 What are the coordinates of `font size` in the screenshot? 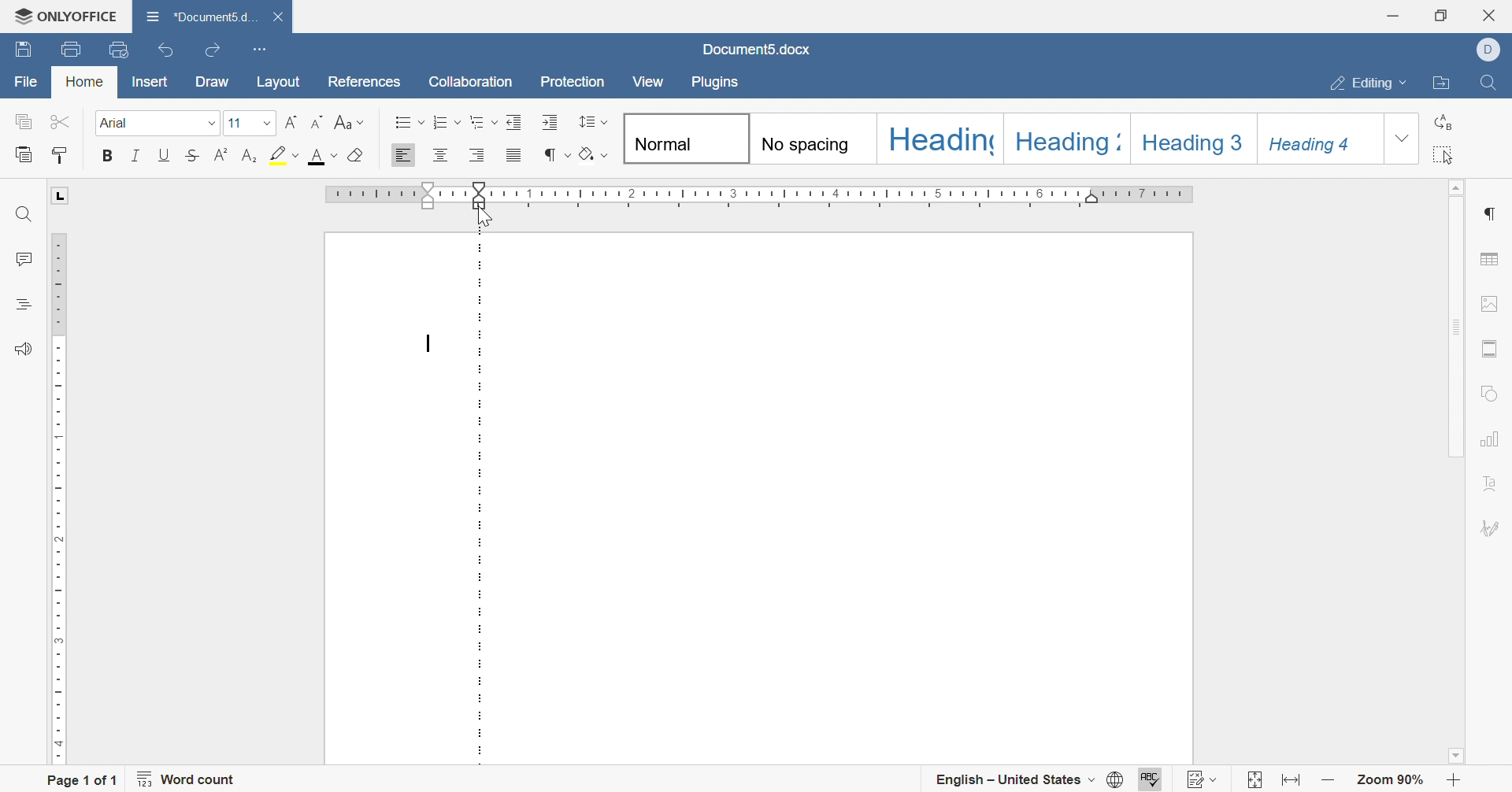 It's located at (234, 123).